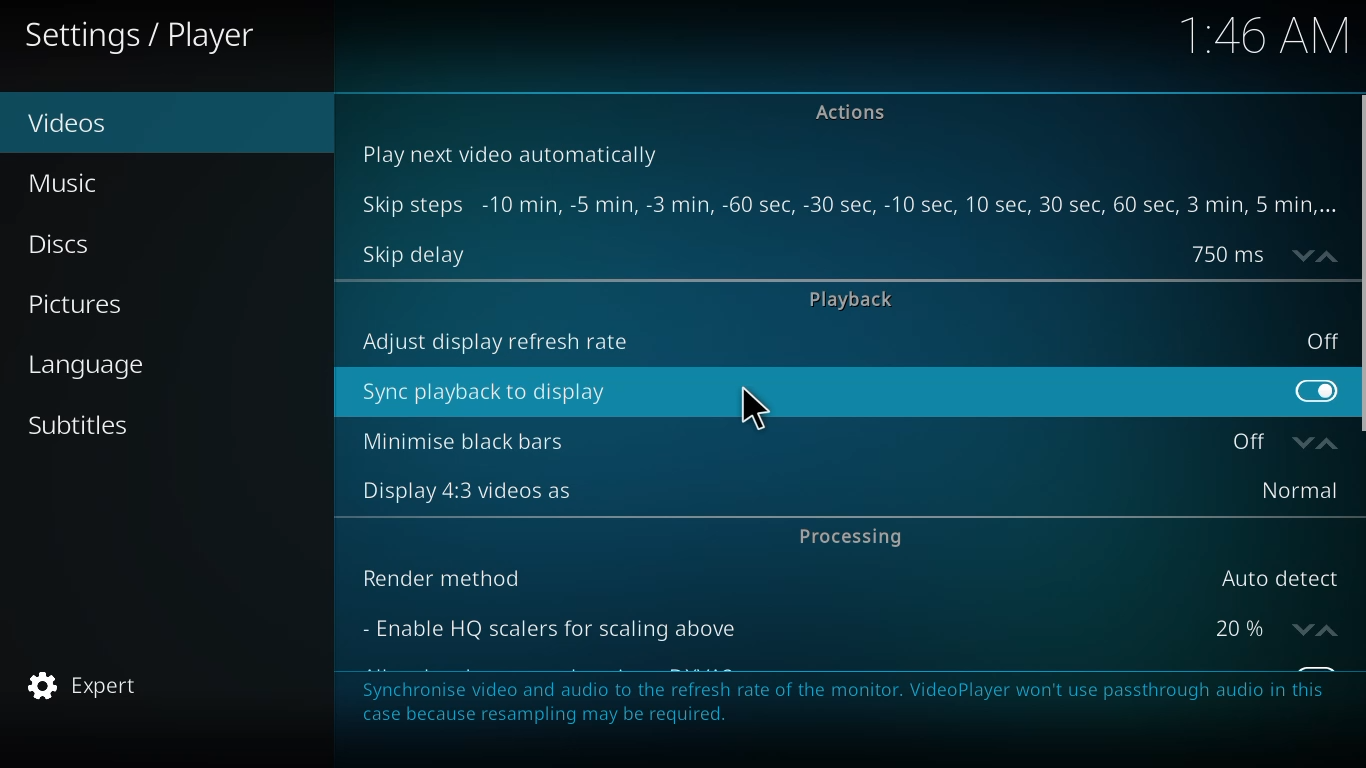 The height and width of the screenshot is (768, 1366). Describe the element at coordinates (481, 395) in the screenshot. I see `sync playback to display` at that location.